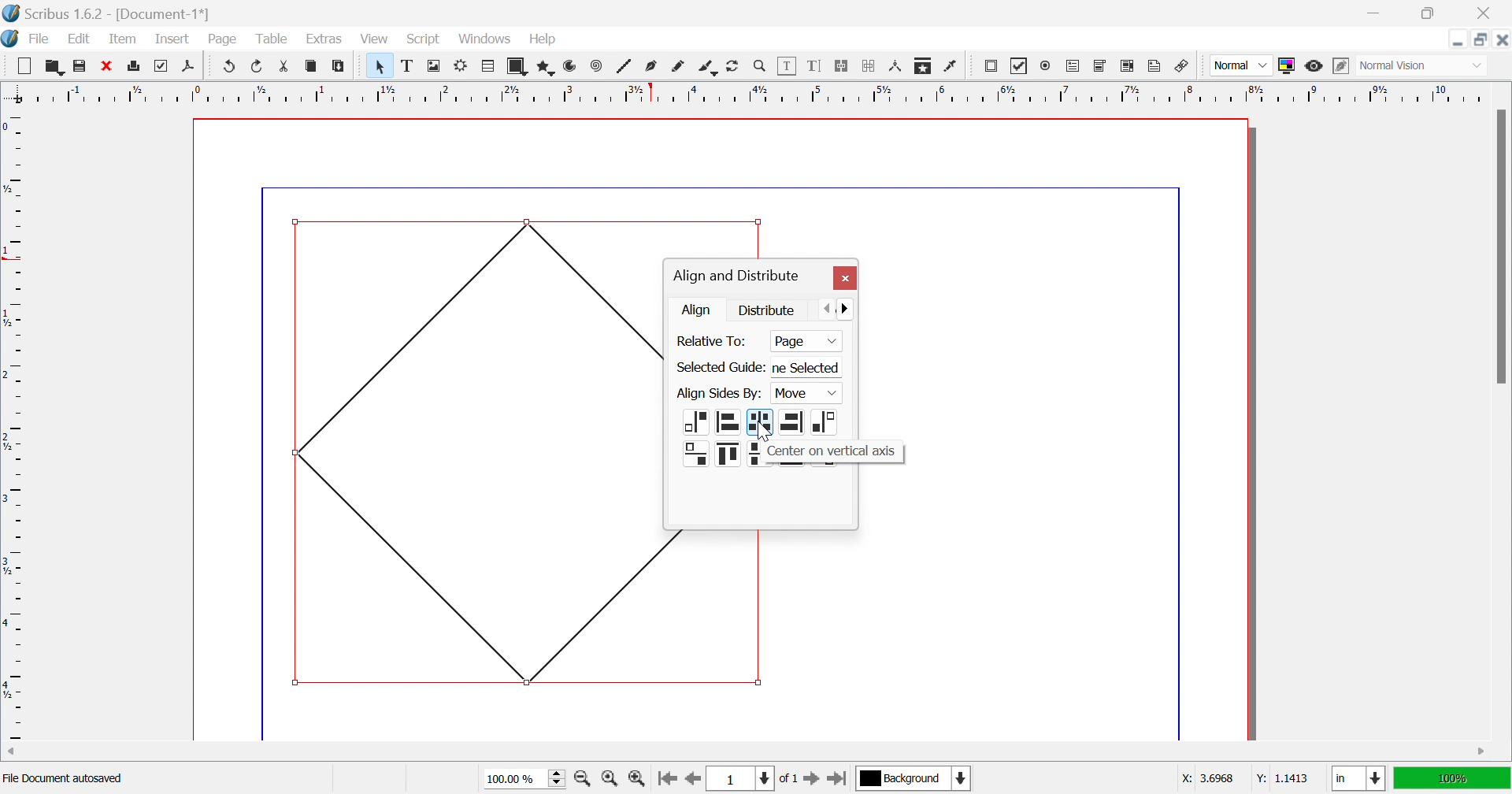 The height and width of the screenshot is (794, 1512). What do you see at coordinates (498, 46) in the screenshot?
I see `Cursor` at bounding box center [498, 46].